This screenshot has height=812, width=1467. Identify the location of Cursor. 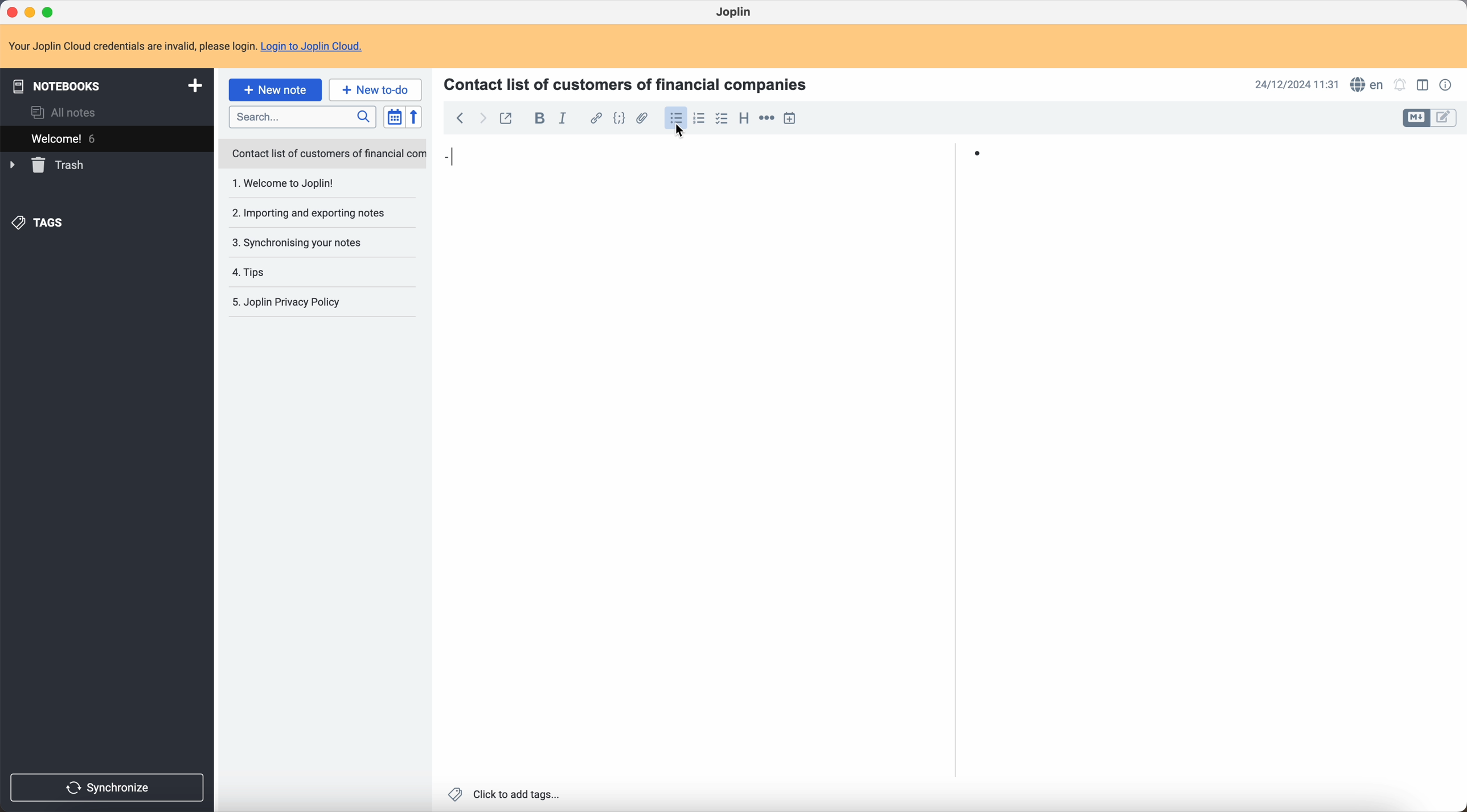
(685, 132).